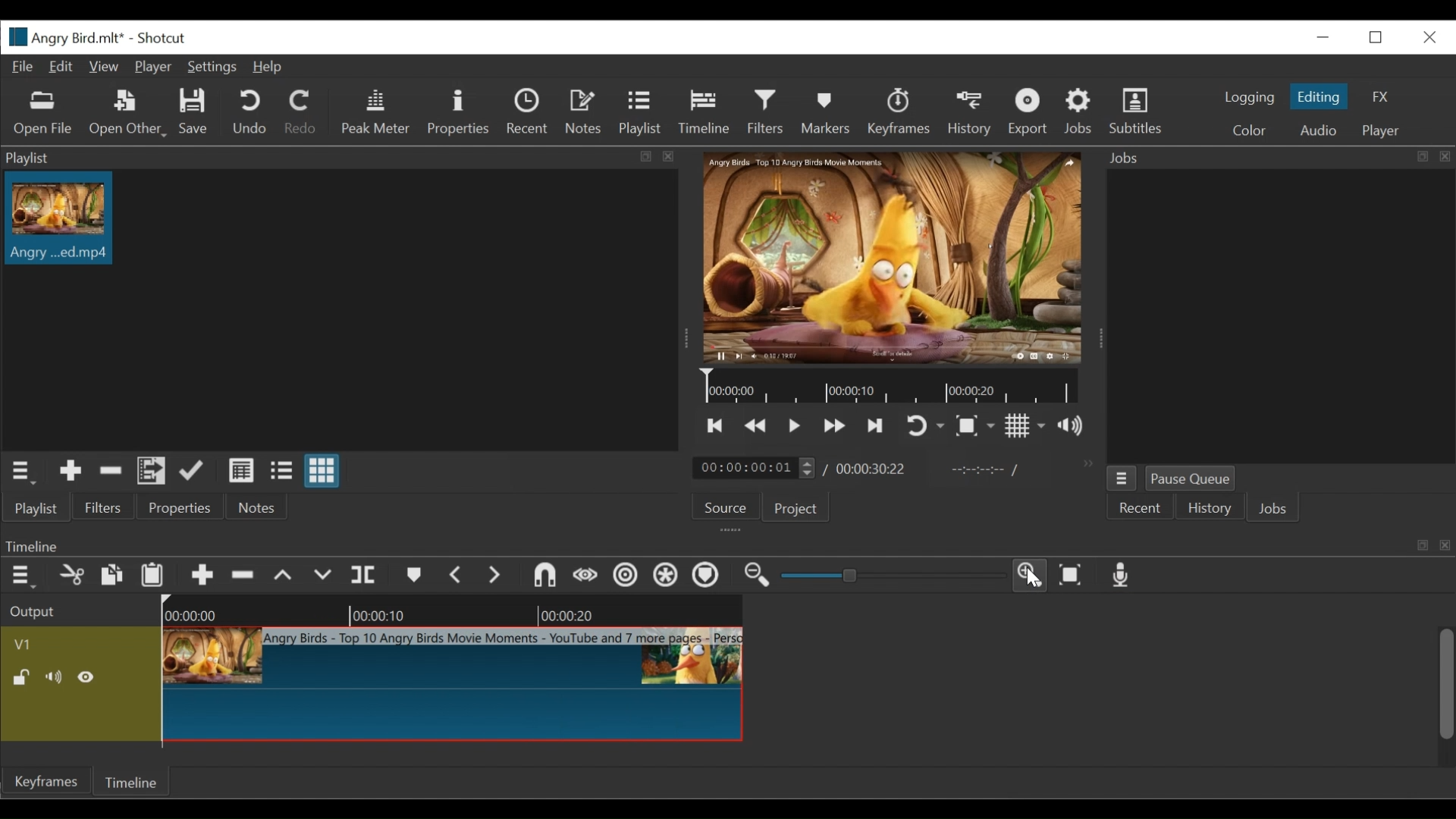 The height and width of the screenshot is (819, 1456). I want to click on Color, so click(1249, 129).